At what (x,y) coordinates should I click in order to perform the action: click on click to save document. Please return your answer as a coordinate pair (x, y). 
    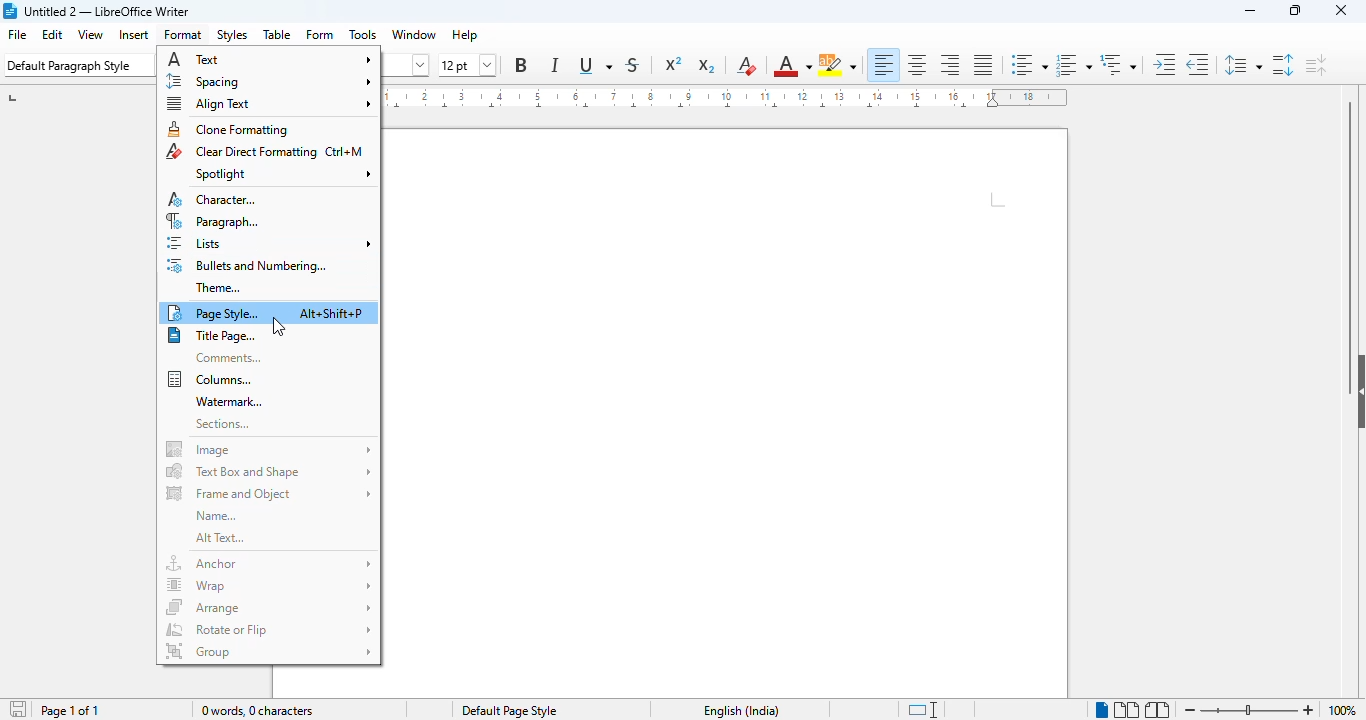
    Looking at the image, I should click on (20, 709).